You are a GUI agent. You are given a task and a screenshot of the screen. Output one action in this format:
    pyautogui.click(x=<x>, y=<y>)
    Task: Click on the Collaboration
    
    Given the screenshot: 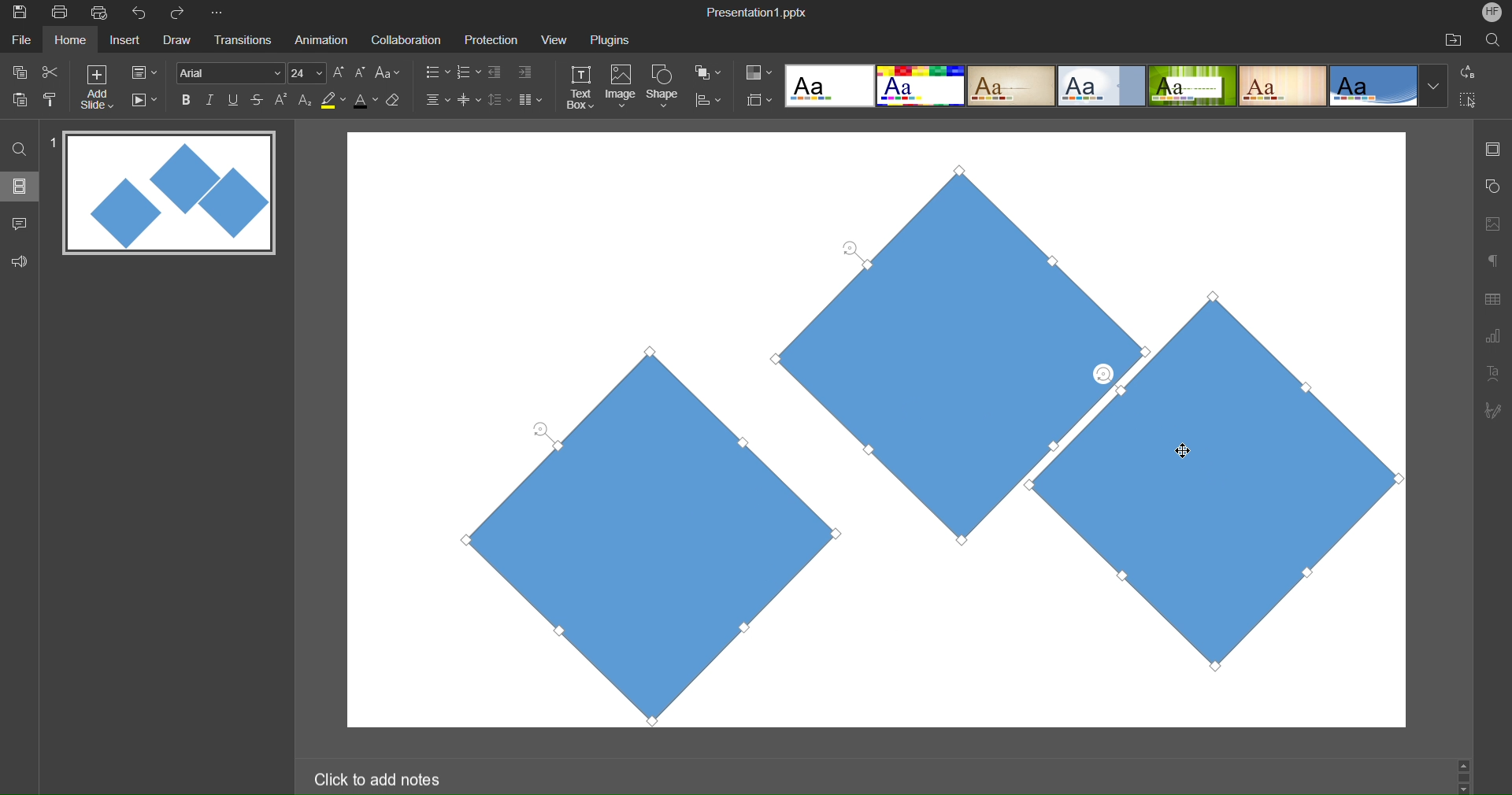 What is the action you would take?
    pyautogui.click(x=403, y=40)
    